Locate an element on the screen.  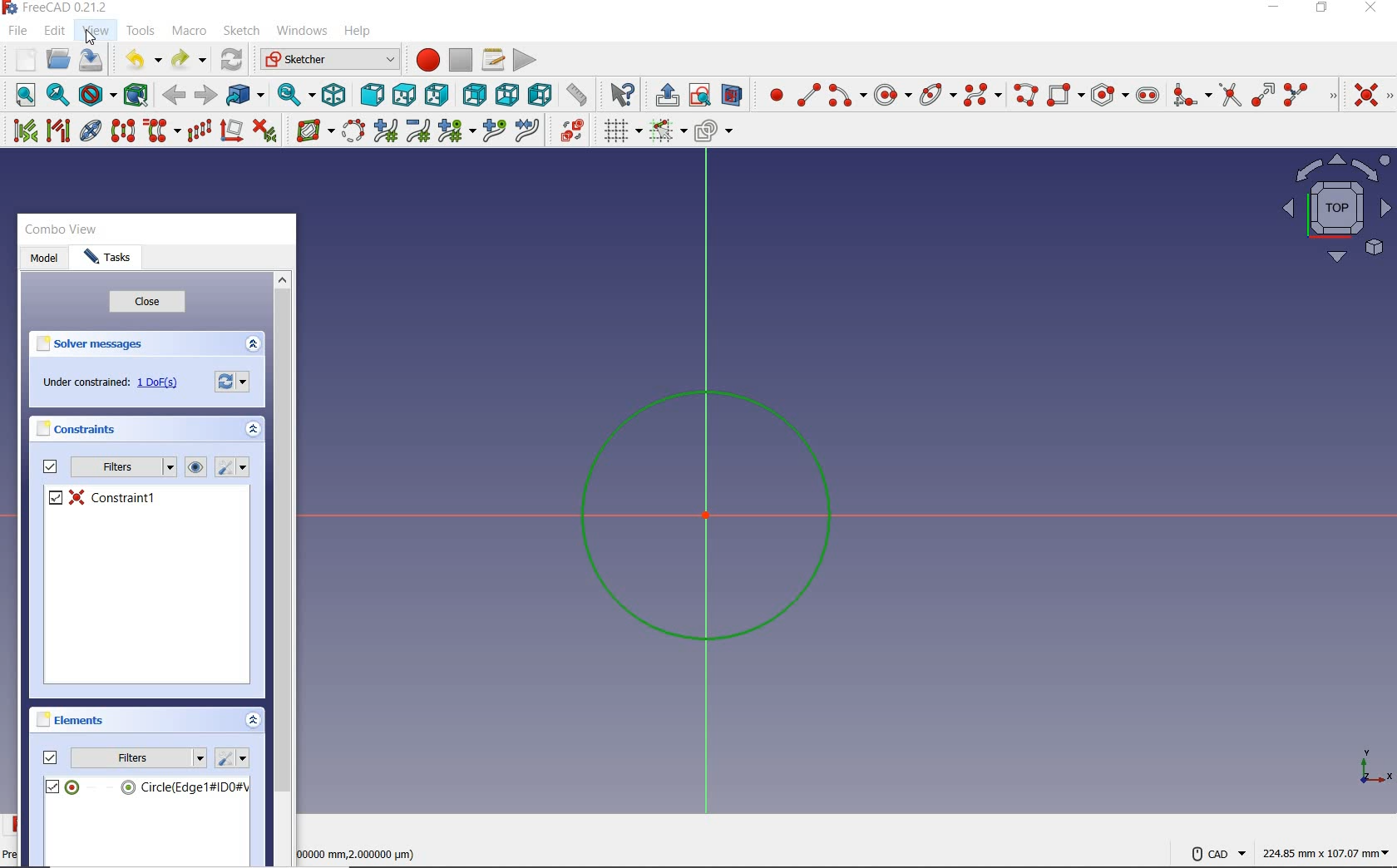
modify knot multiplicity is located at coordinates (455, 131).